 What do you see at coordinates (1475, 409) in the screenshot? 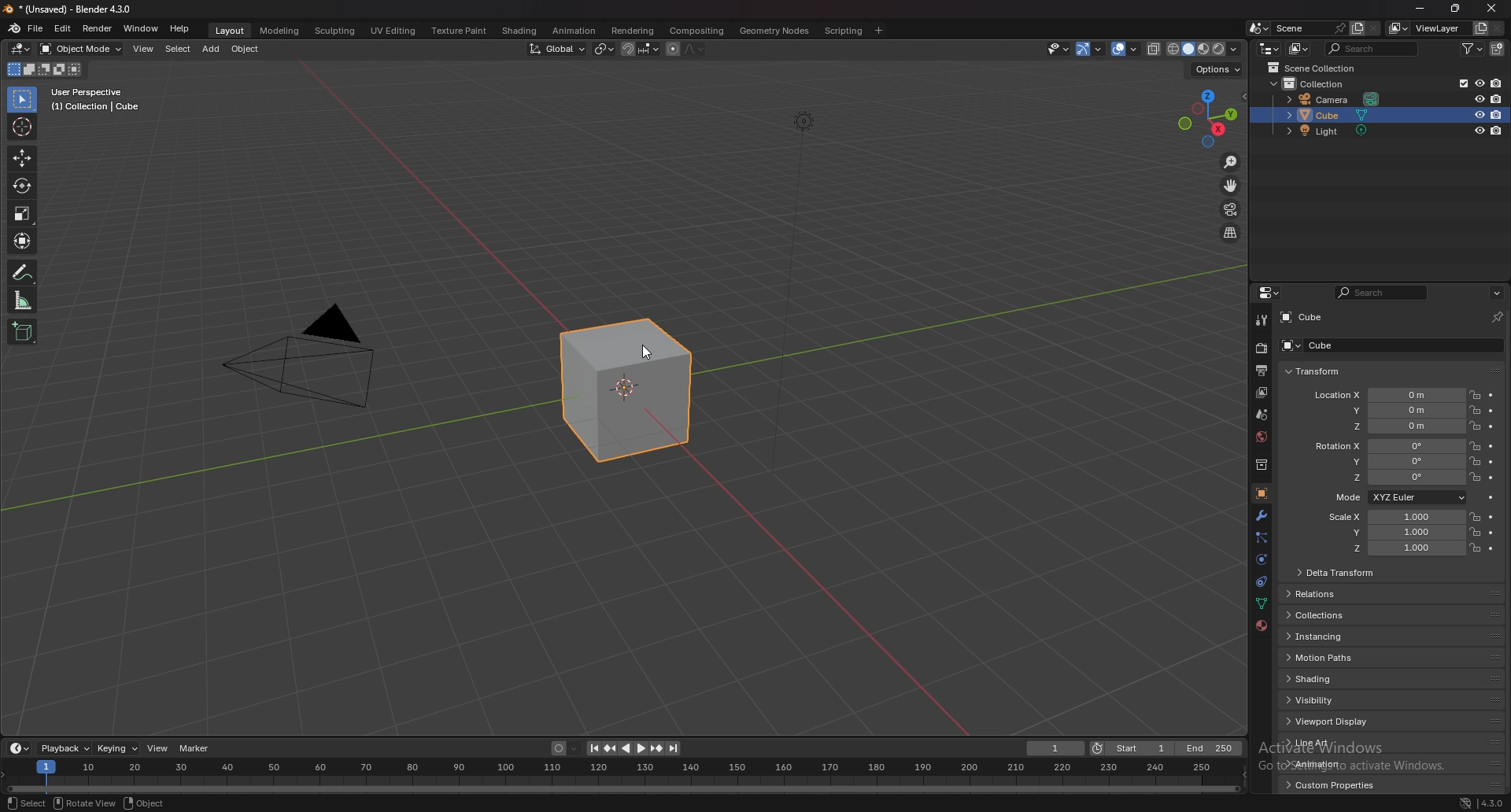
I see `lock` at bounding box center [1475, 409].